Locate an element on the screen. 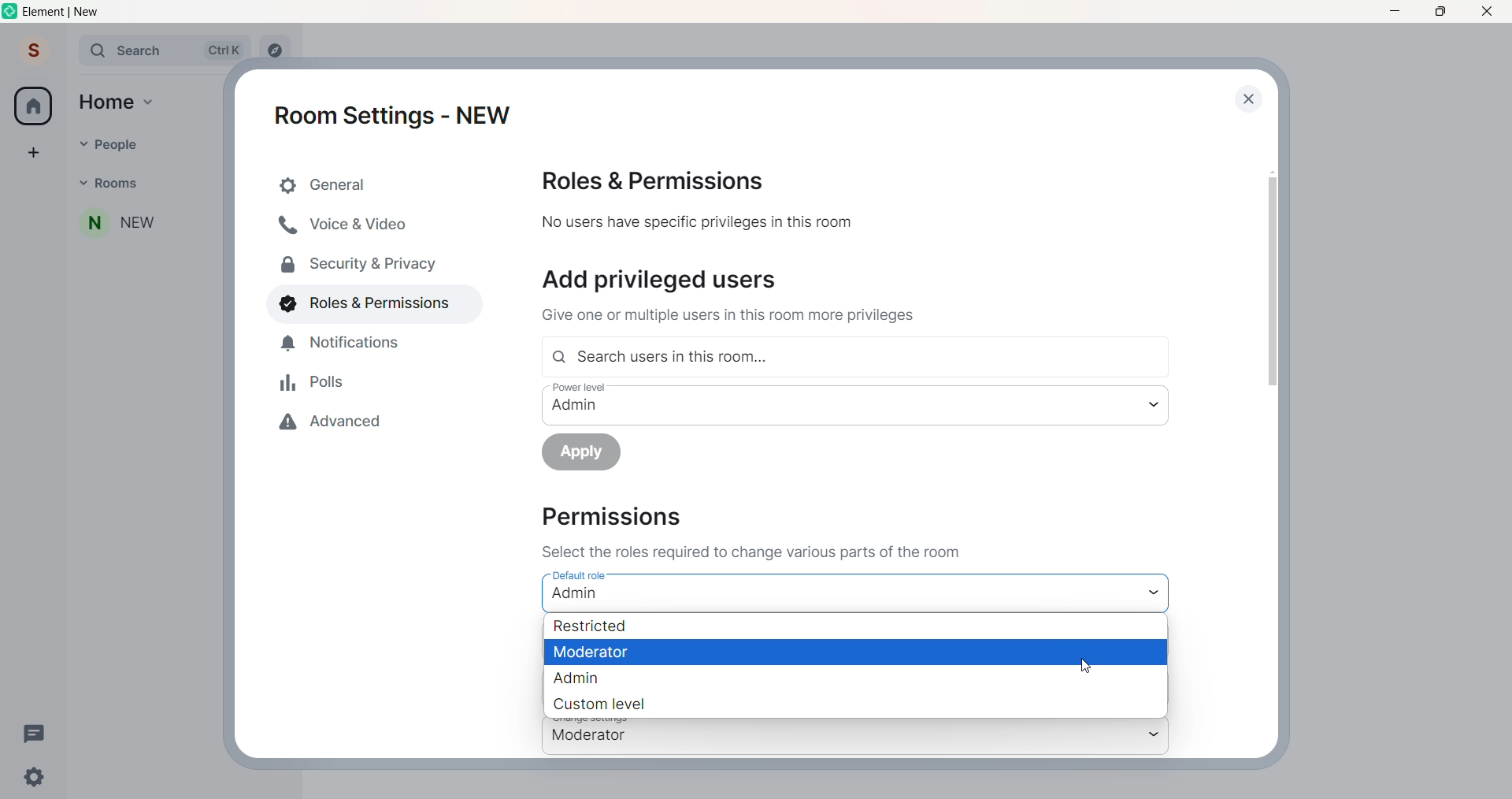  close is located at coordinates (1490, 11).